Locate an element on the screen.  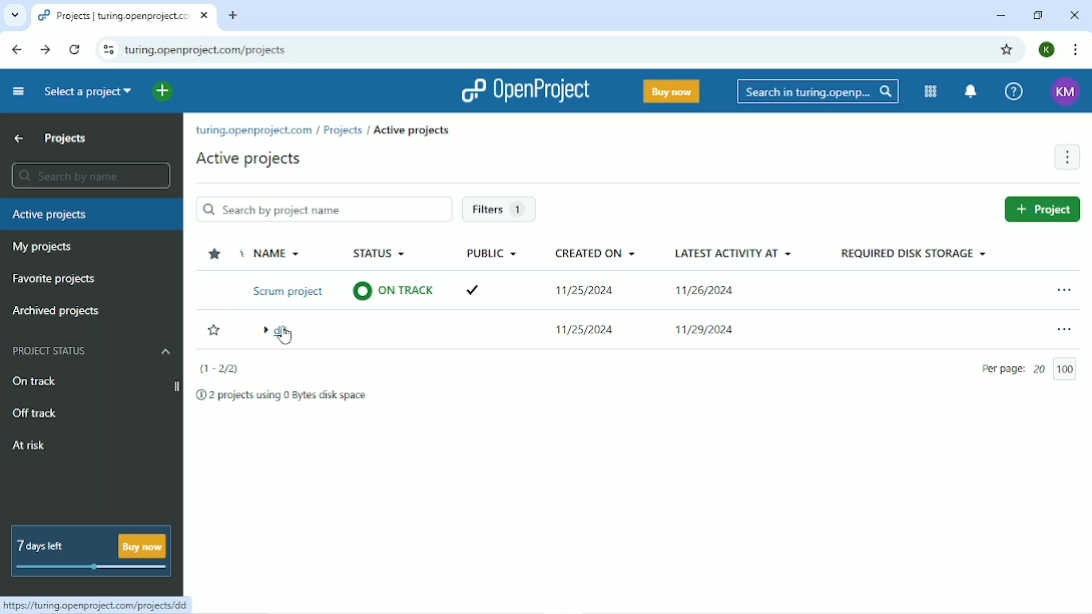
© ON TRACK is located at coordinates (393, 293).